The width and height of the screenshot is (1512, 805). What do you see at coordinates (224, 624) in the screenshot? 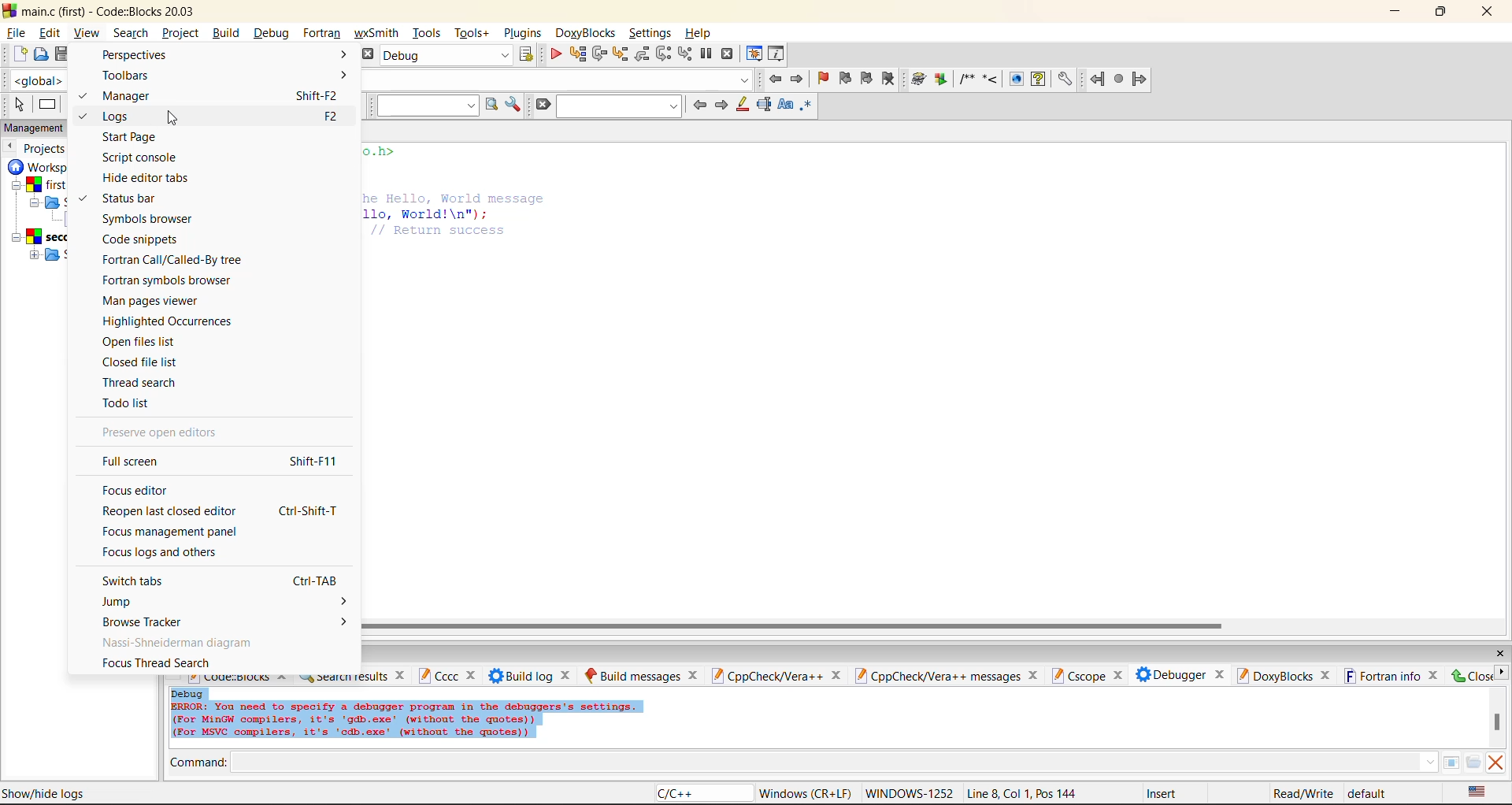
I see `browse tracker` at bounding box center [224, 624].